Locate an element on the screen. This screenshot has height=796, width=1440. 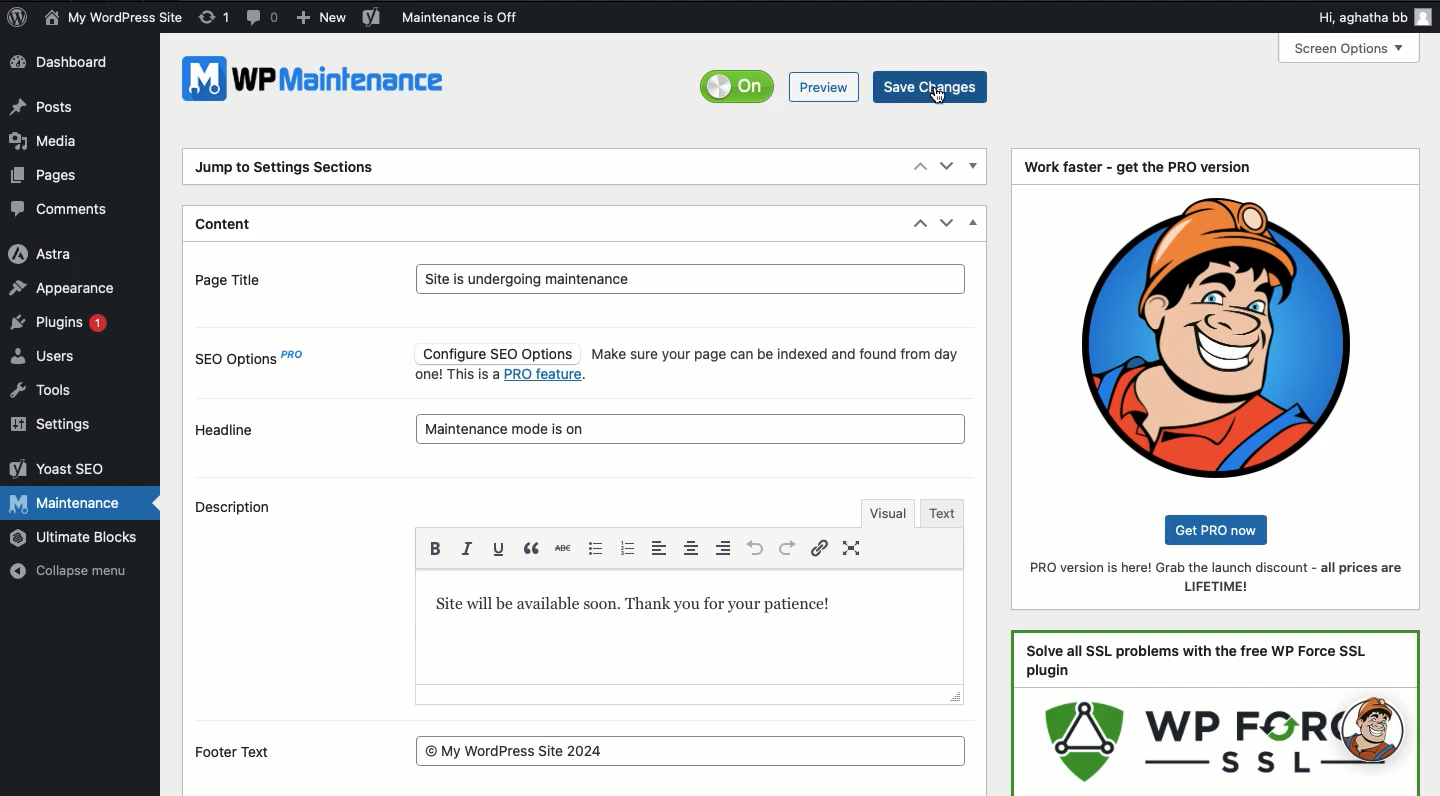
Maintenance is off is located at coordinates (467, 17).